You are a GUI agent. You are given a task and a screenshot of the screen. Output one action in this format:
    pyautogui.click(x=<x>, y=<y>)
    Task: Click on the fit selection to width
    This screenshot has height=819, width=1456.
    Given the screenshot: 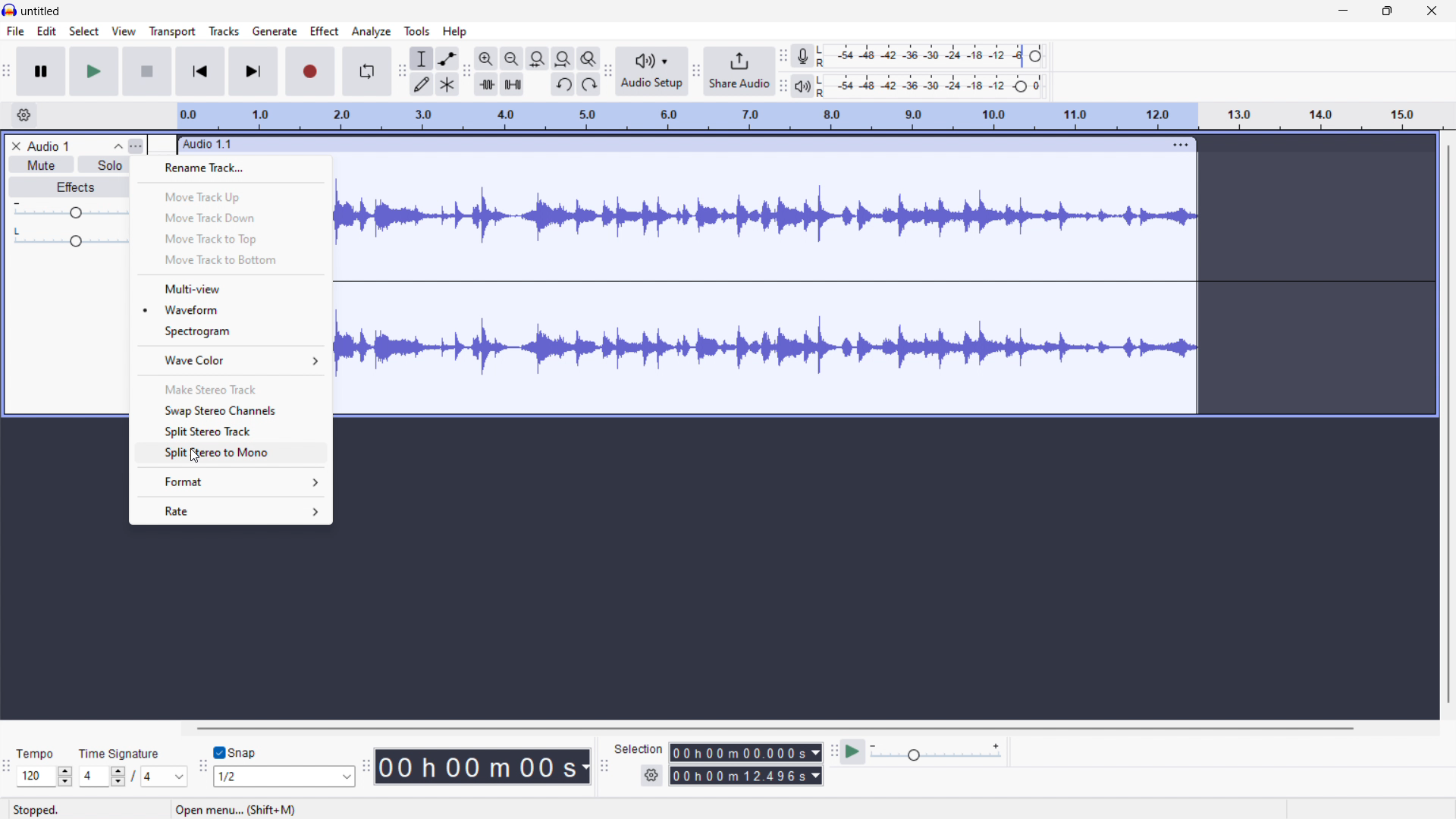 What is the action you would take?
    pyautogui.click(x=538, y=58)
    